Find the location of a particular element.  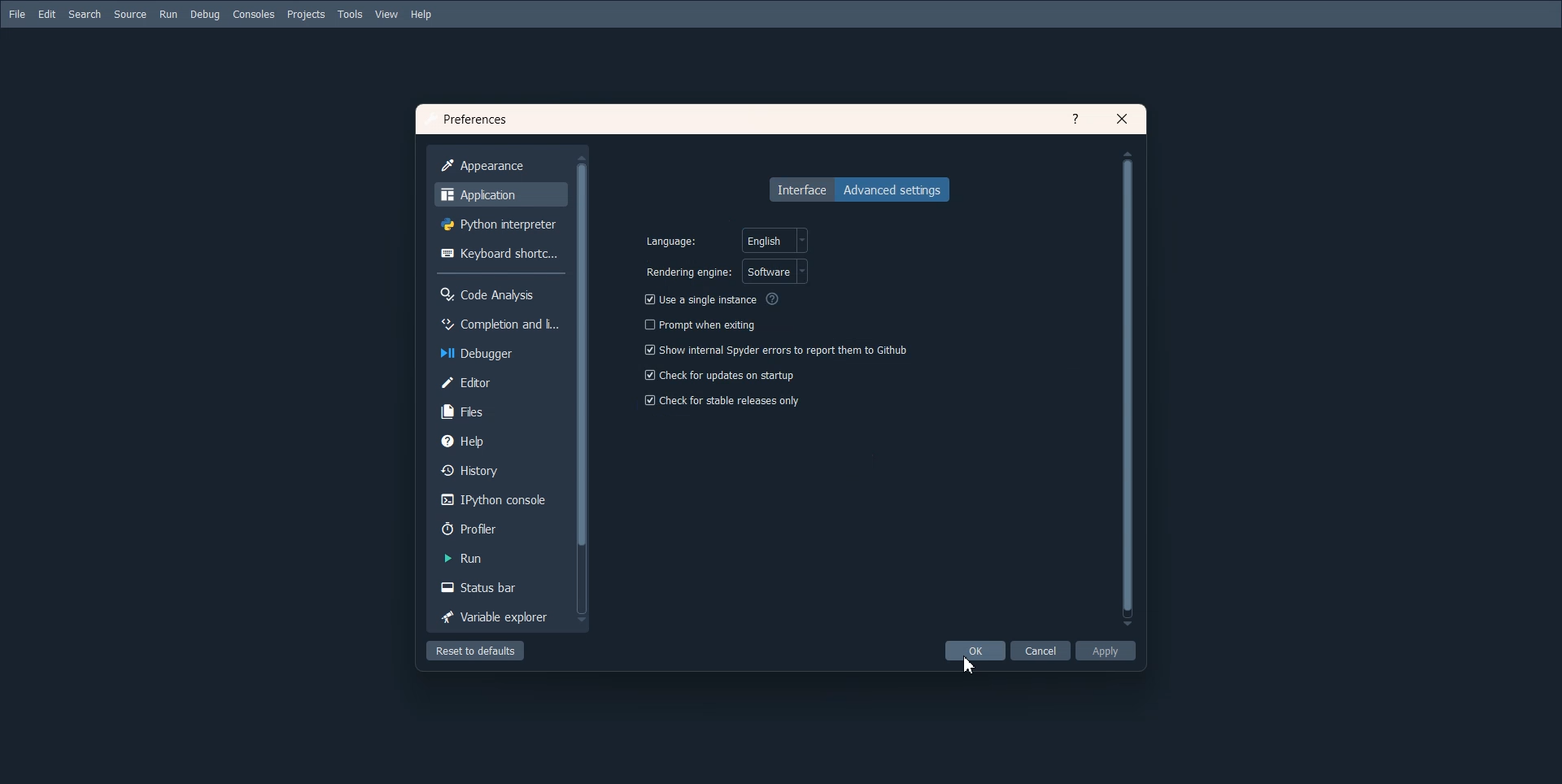

Code Analysis is located at coordinates (499, 293).